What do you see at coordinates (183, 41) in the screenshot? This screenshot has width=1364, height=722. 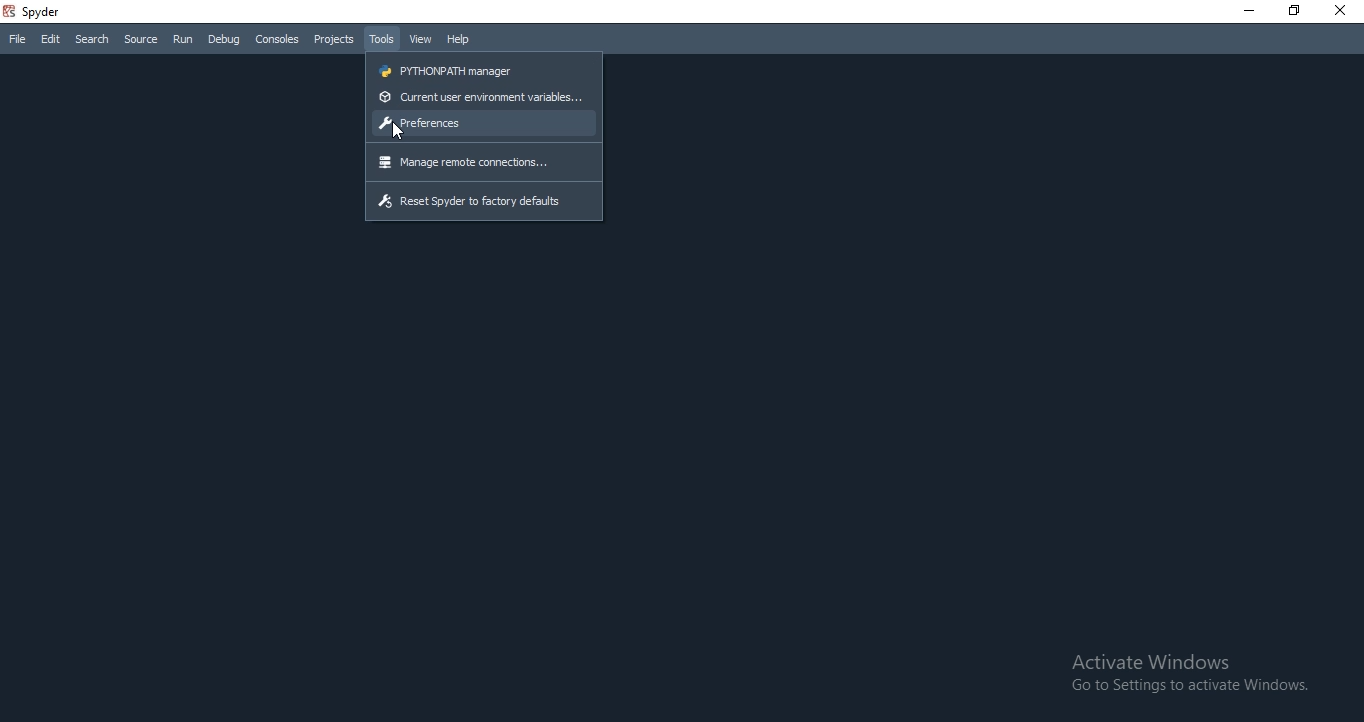 I see `Run` at bounding box center [183, 41].